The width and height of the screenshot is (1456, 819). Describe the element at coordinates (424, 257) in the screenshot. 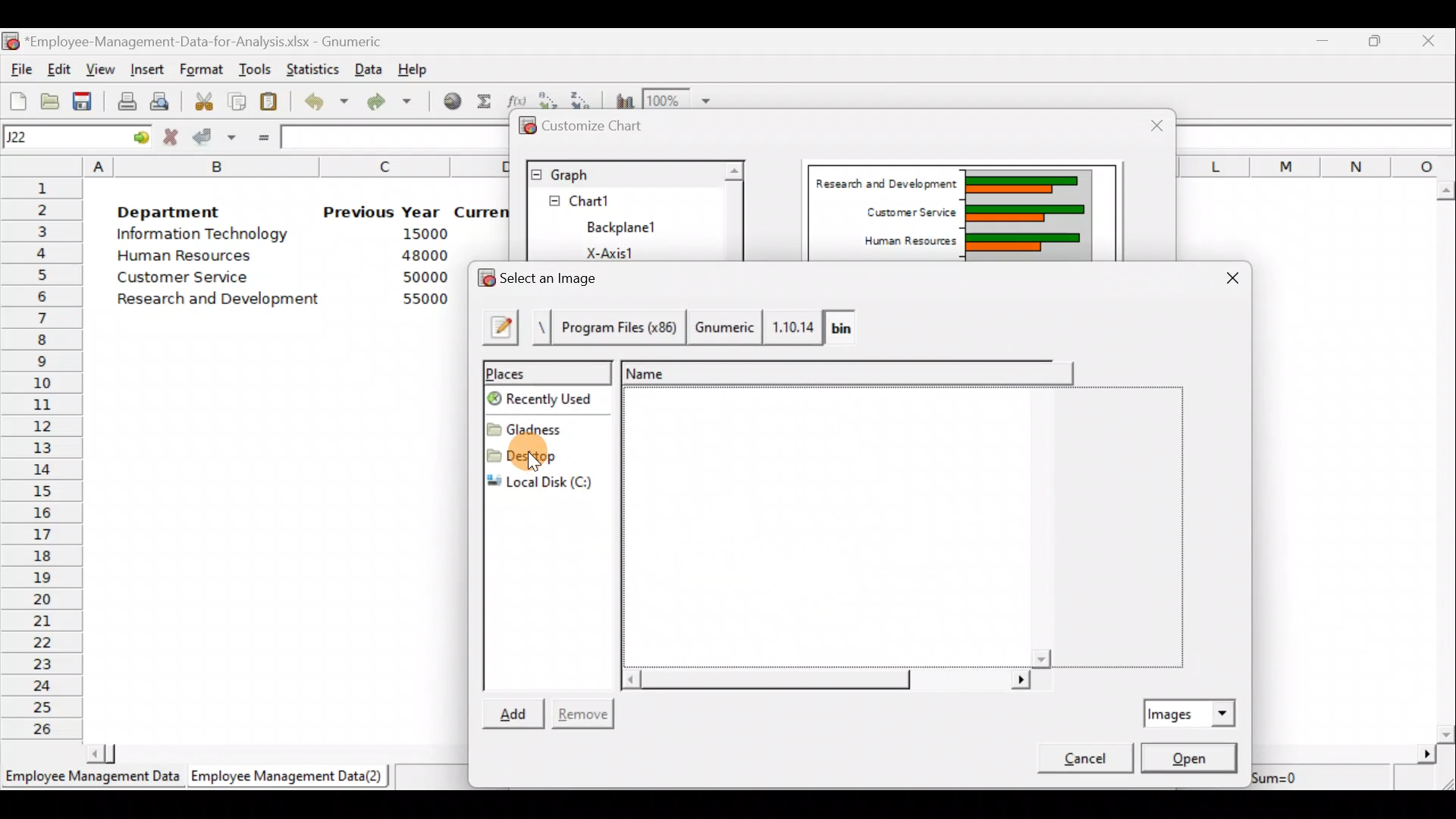

I see `48000` at that location.